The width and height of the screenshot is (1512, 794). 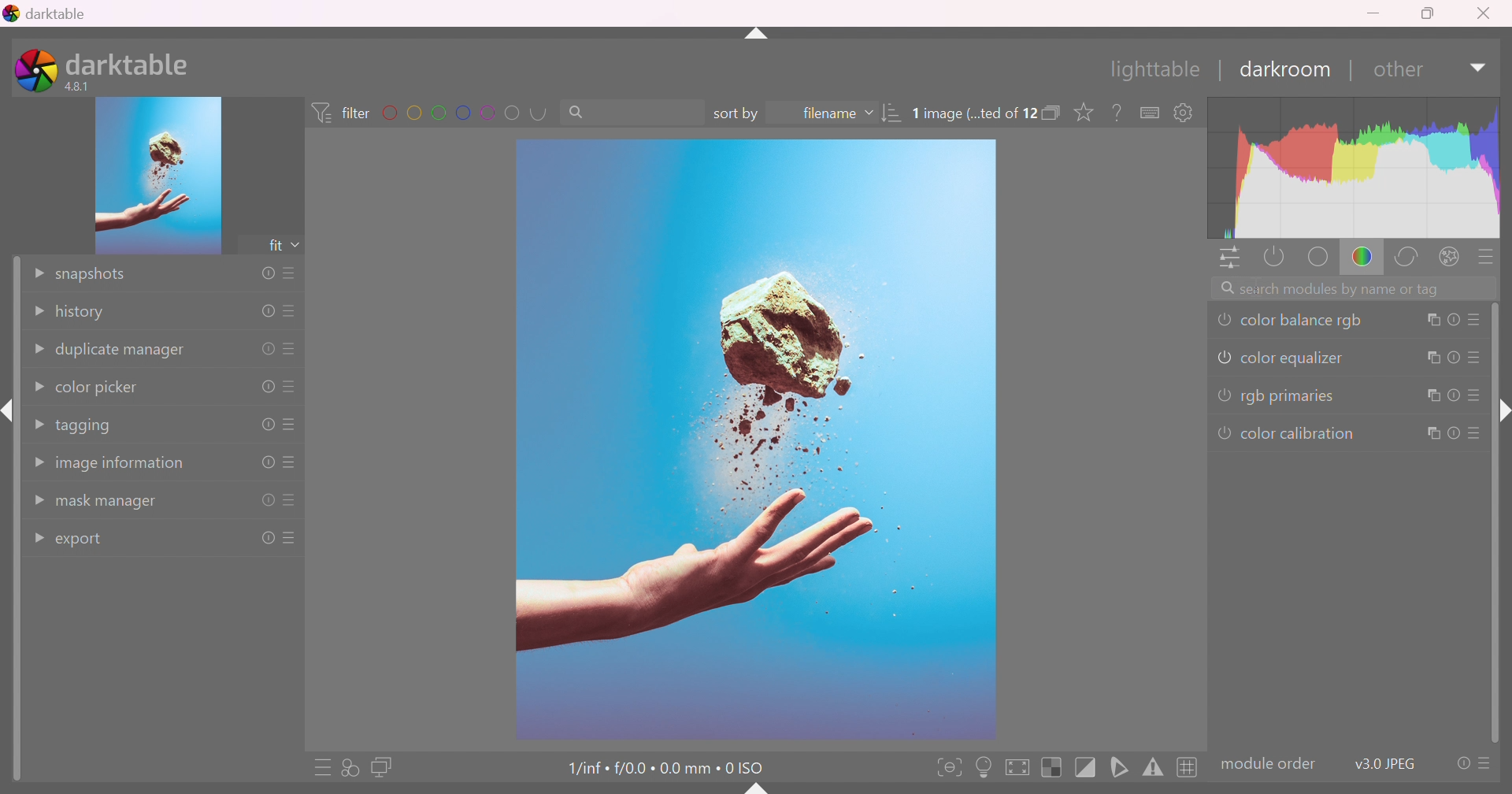 What do you see at coordinates (264, 425) in the screenshot?
I see `reset` at bounding box center [264, 425].